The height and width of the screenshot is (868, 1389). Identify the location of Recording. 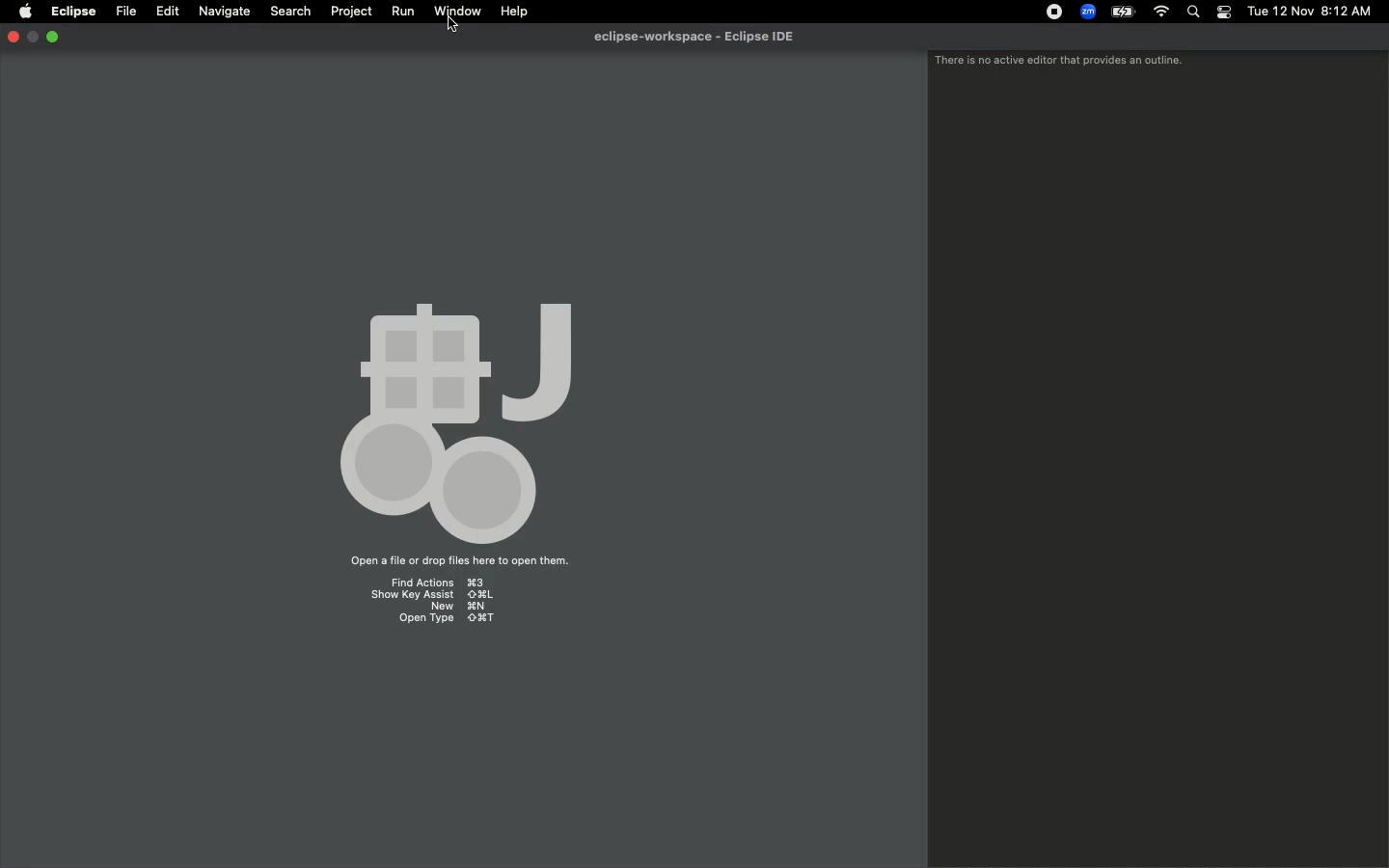
(1049, 12).